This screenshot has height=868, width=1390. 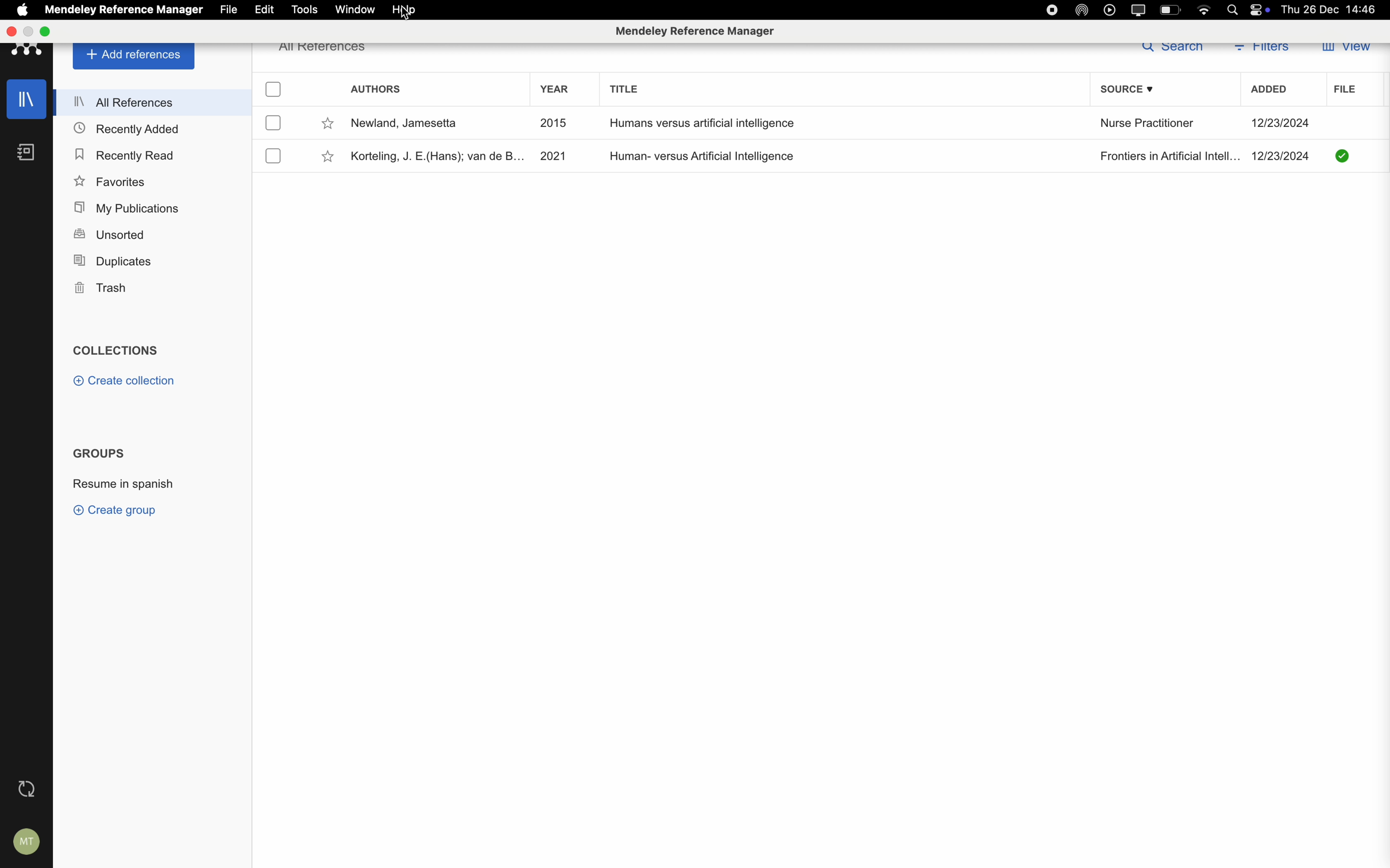 What do you see at coordinates (273, 90) in the screenshot?
I see `checkbox` at bounding box center [273, 90].